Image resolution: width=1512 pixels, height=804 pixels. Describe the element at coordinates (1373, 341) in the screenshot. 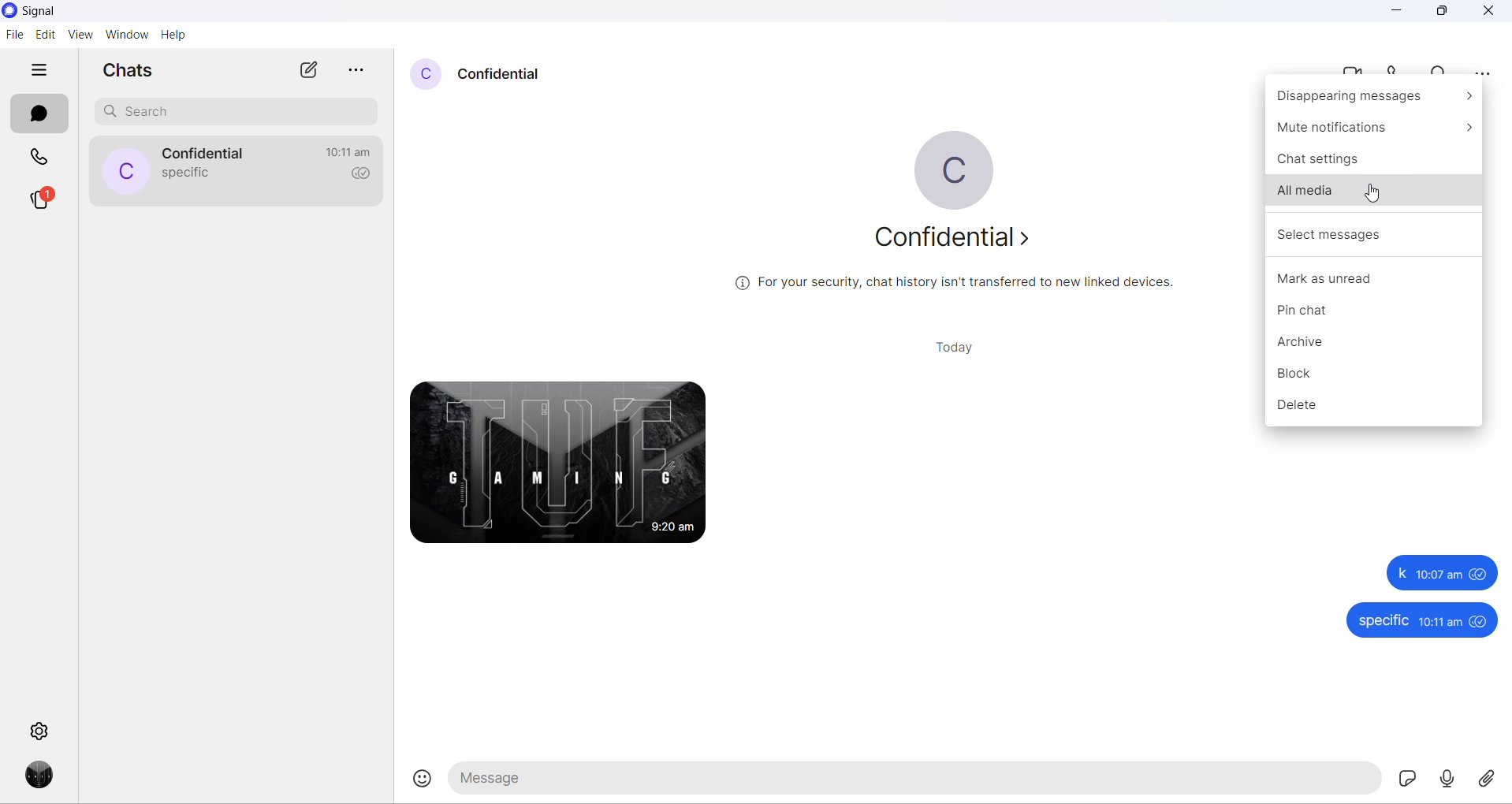

I see `archive` at that location.